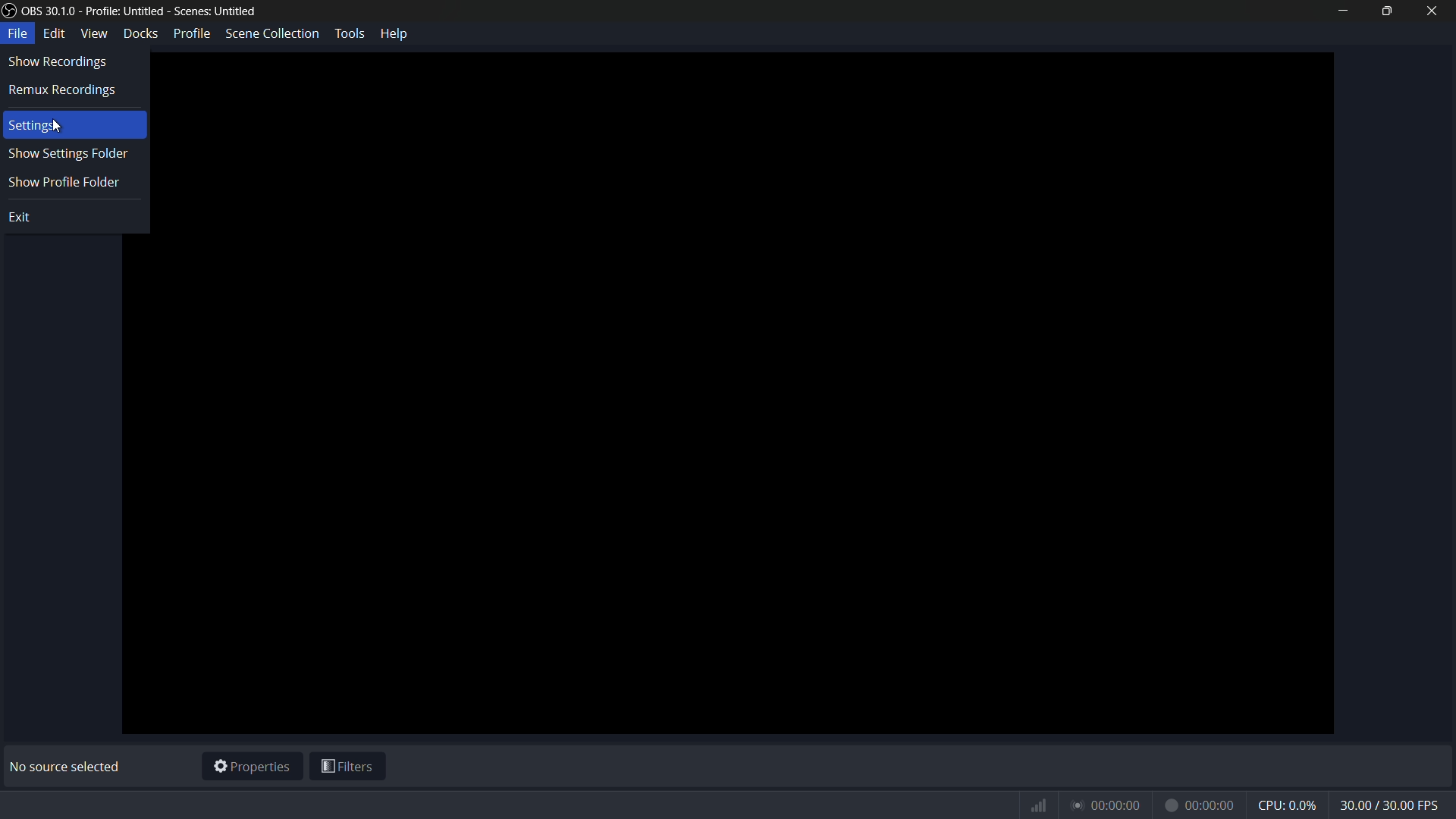  What do you see at coordinates (56, 33) in the screenshot?
I see `edit menu` at bounding box center [56, 33].